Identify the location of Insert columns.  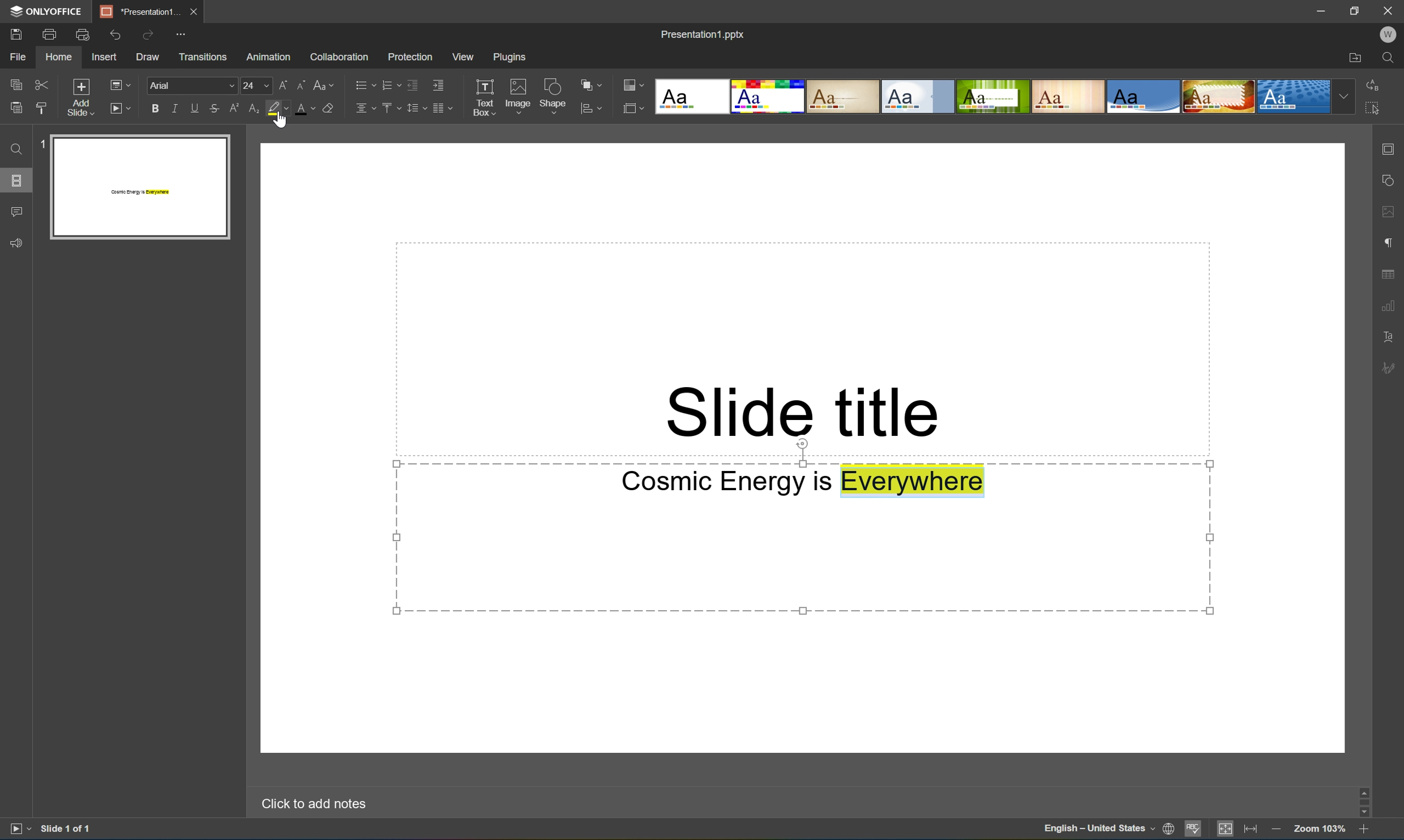
(442, 108).